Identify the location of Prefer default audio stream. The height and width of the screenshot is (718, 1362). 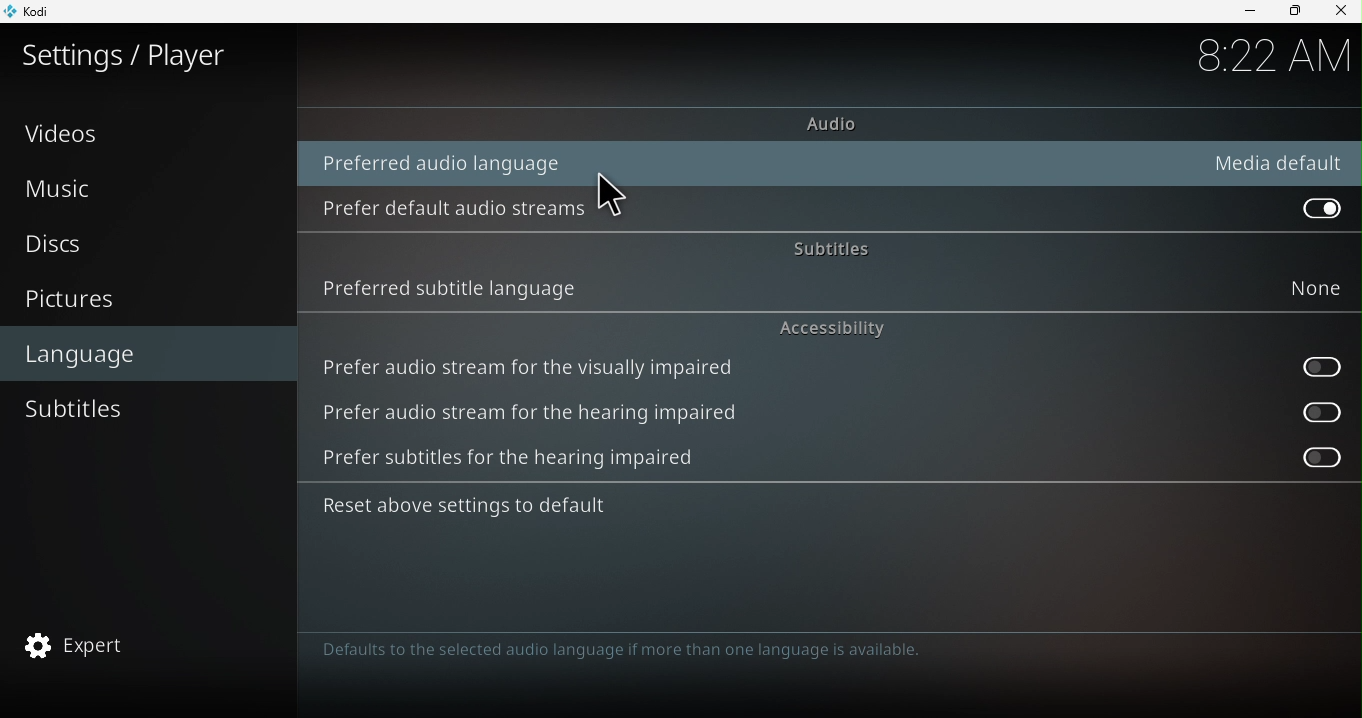
(1317, 207).